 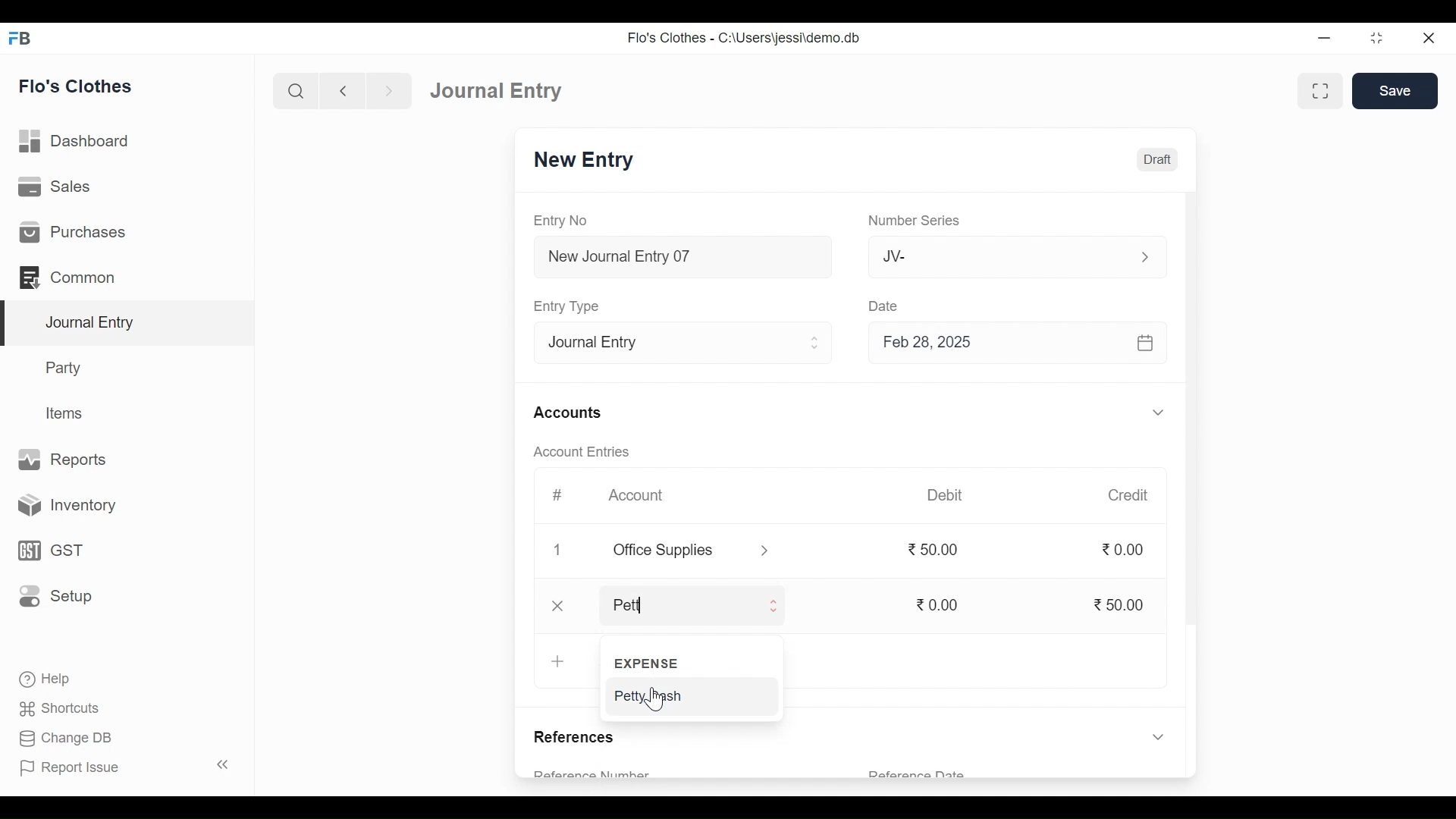 What do you see at coordinates (765, 552) in the screenshot?
I see `Expand` at bounding box center [765, 552].